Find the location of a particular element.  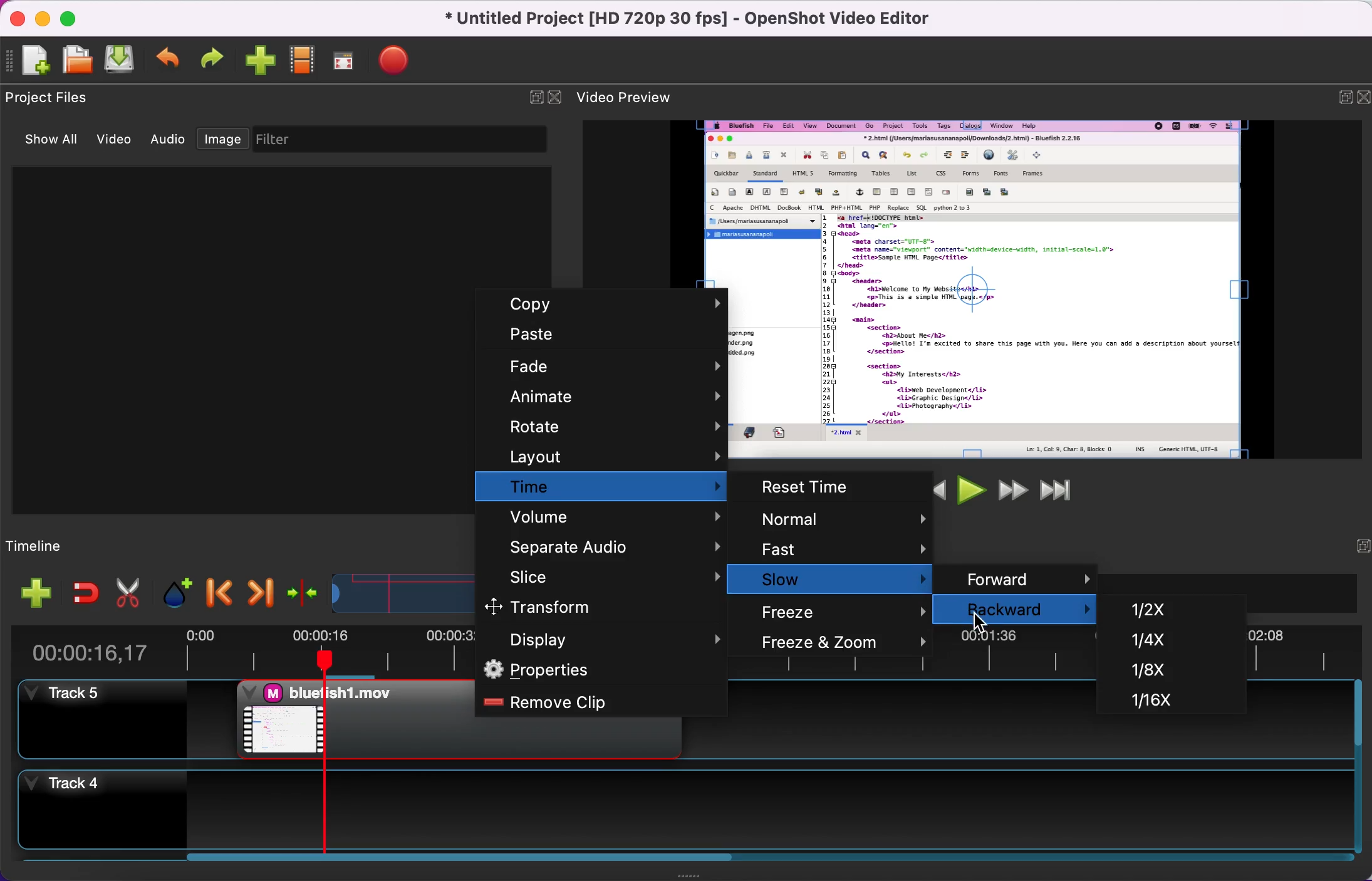

copy is located at coordinates (609, 306).